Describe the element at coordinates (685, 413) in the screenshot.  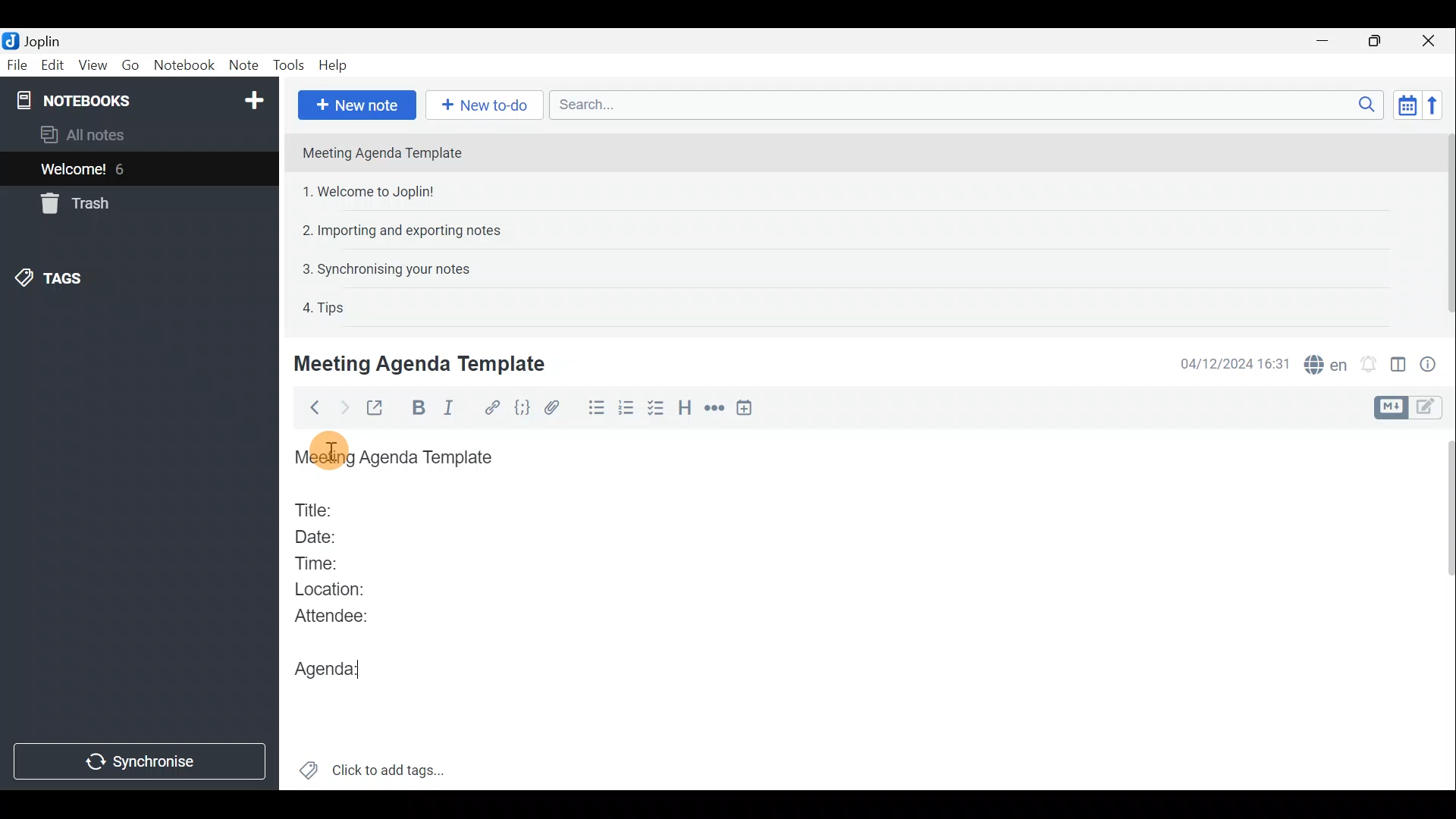
I see `Heading` at that location.